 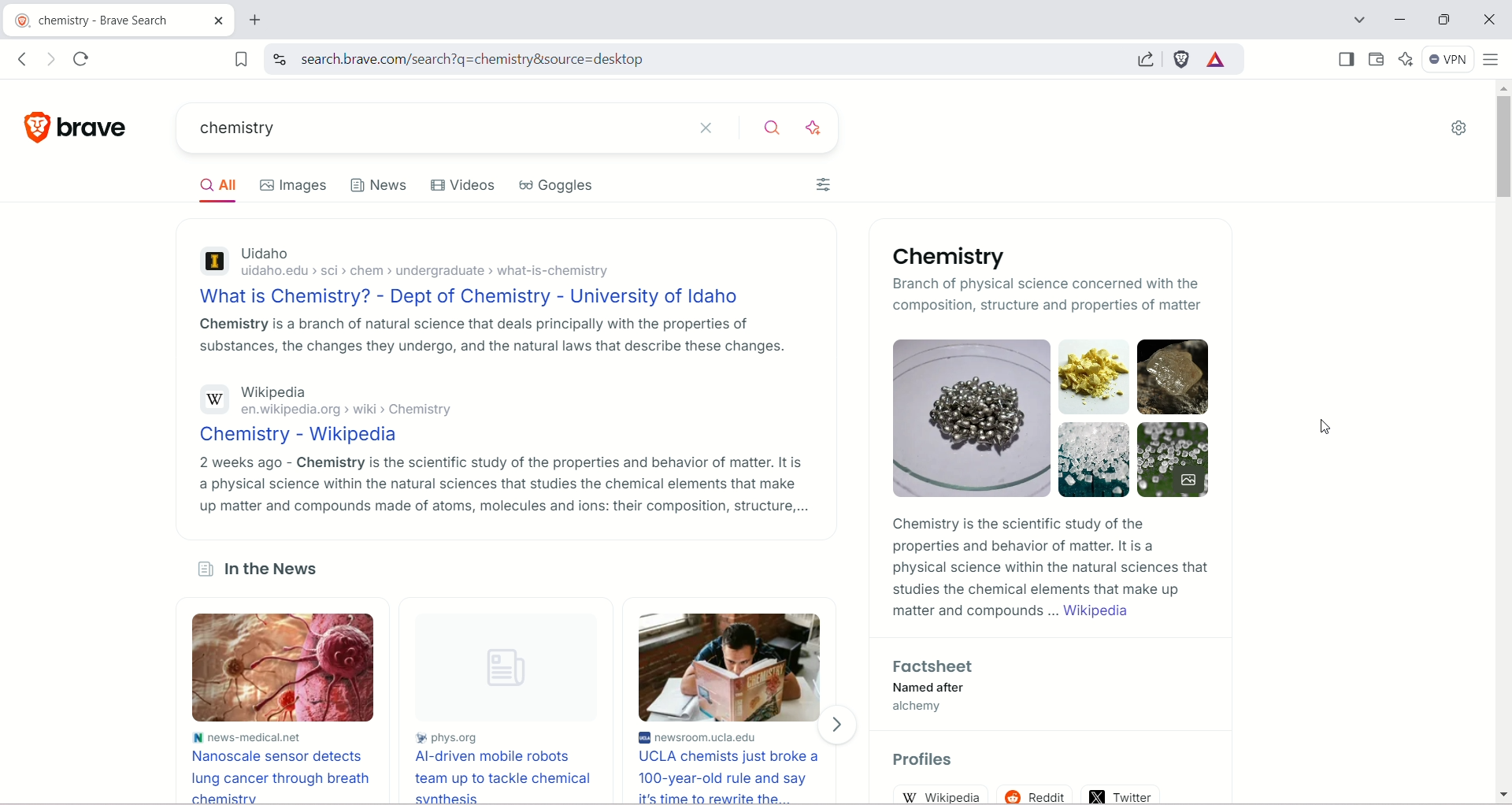 I want to click on All, so click(x=213, y=186).